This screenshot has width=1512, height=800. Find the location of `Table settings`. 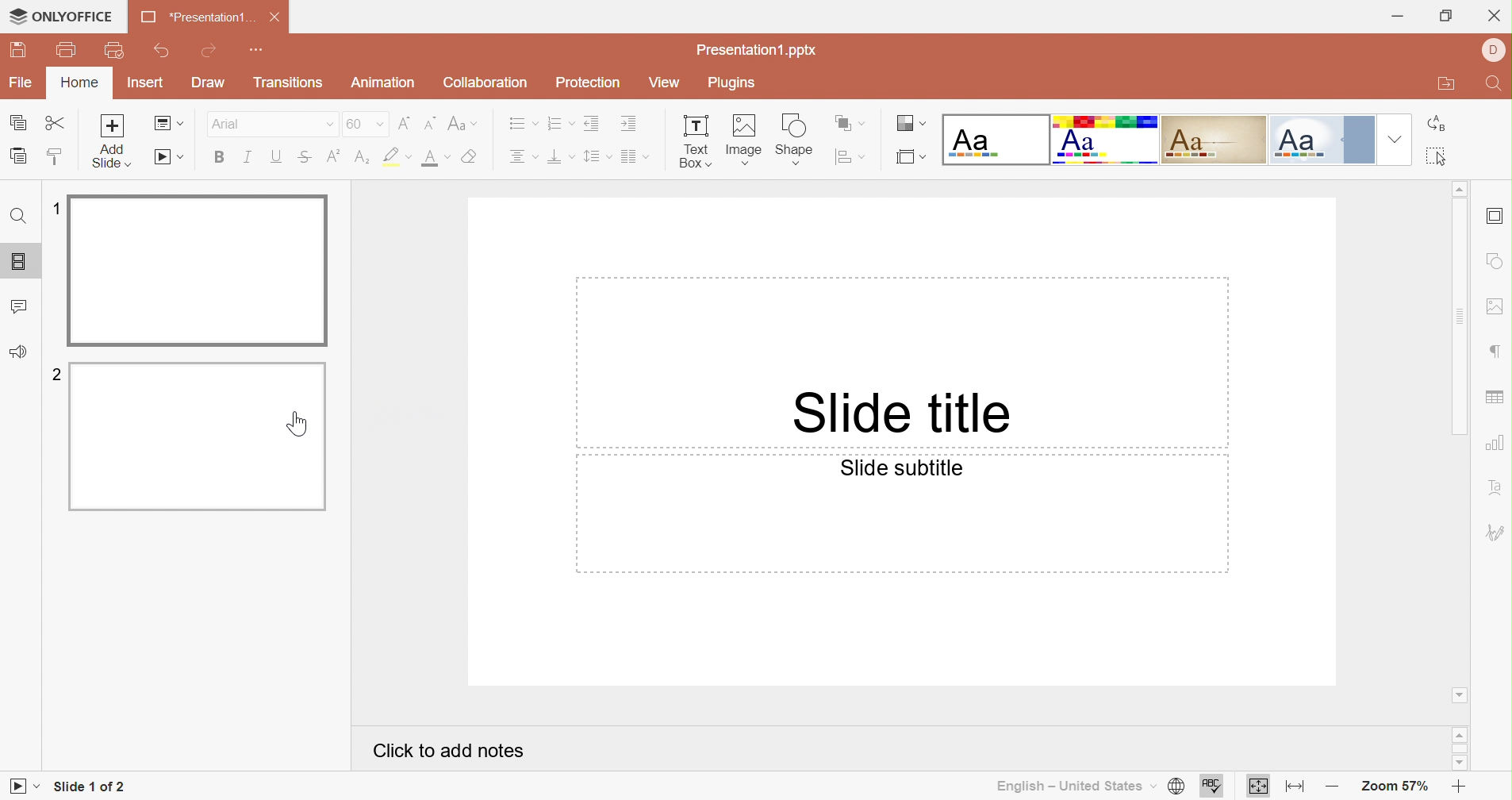

Table settings is located at coordinates (1496, 399).